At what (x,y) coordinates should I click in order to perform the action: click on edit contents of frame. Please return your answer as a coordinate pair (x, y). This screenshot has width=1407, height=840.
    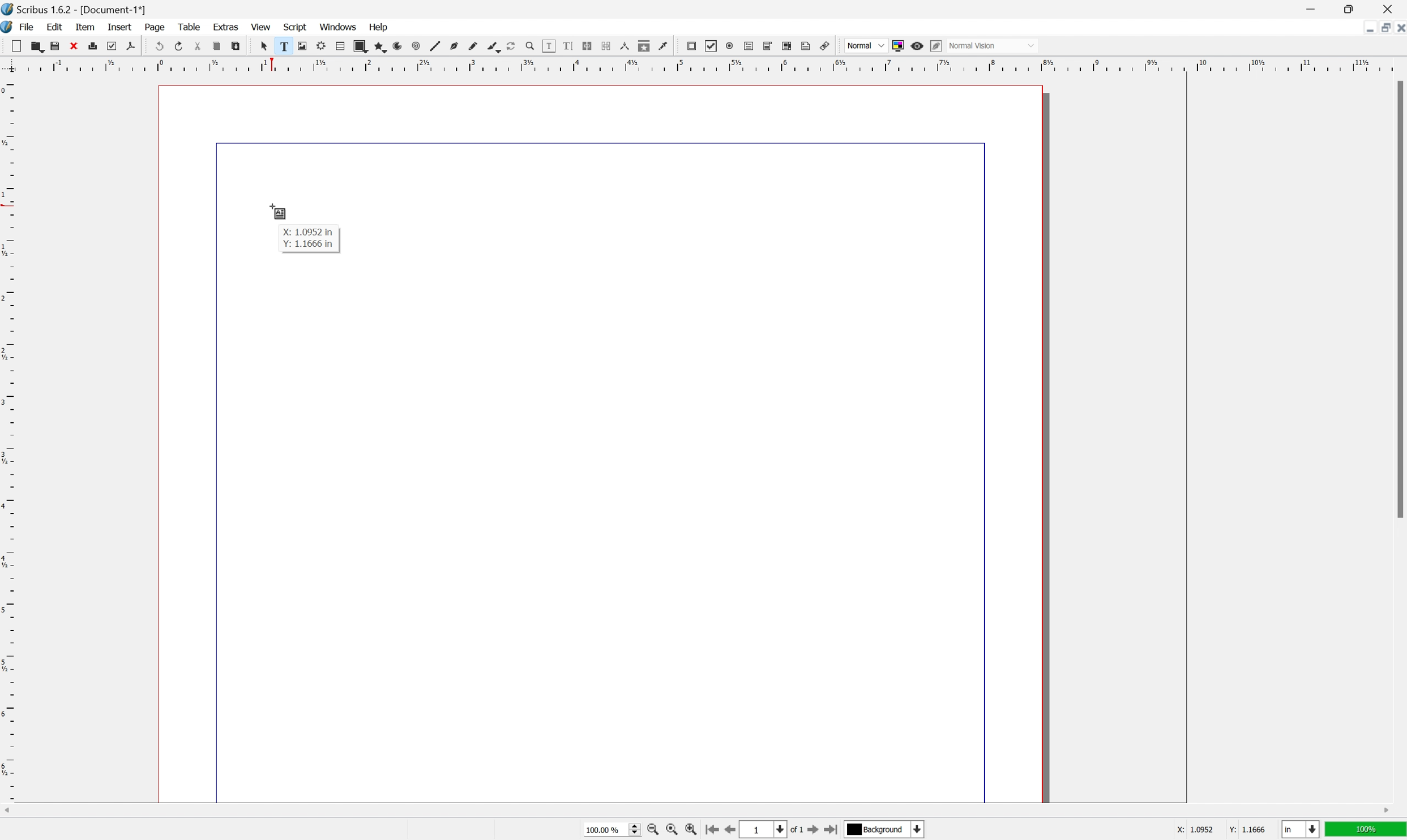
    Looking at the image, I should click on (548, 45).